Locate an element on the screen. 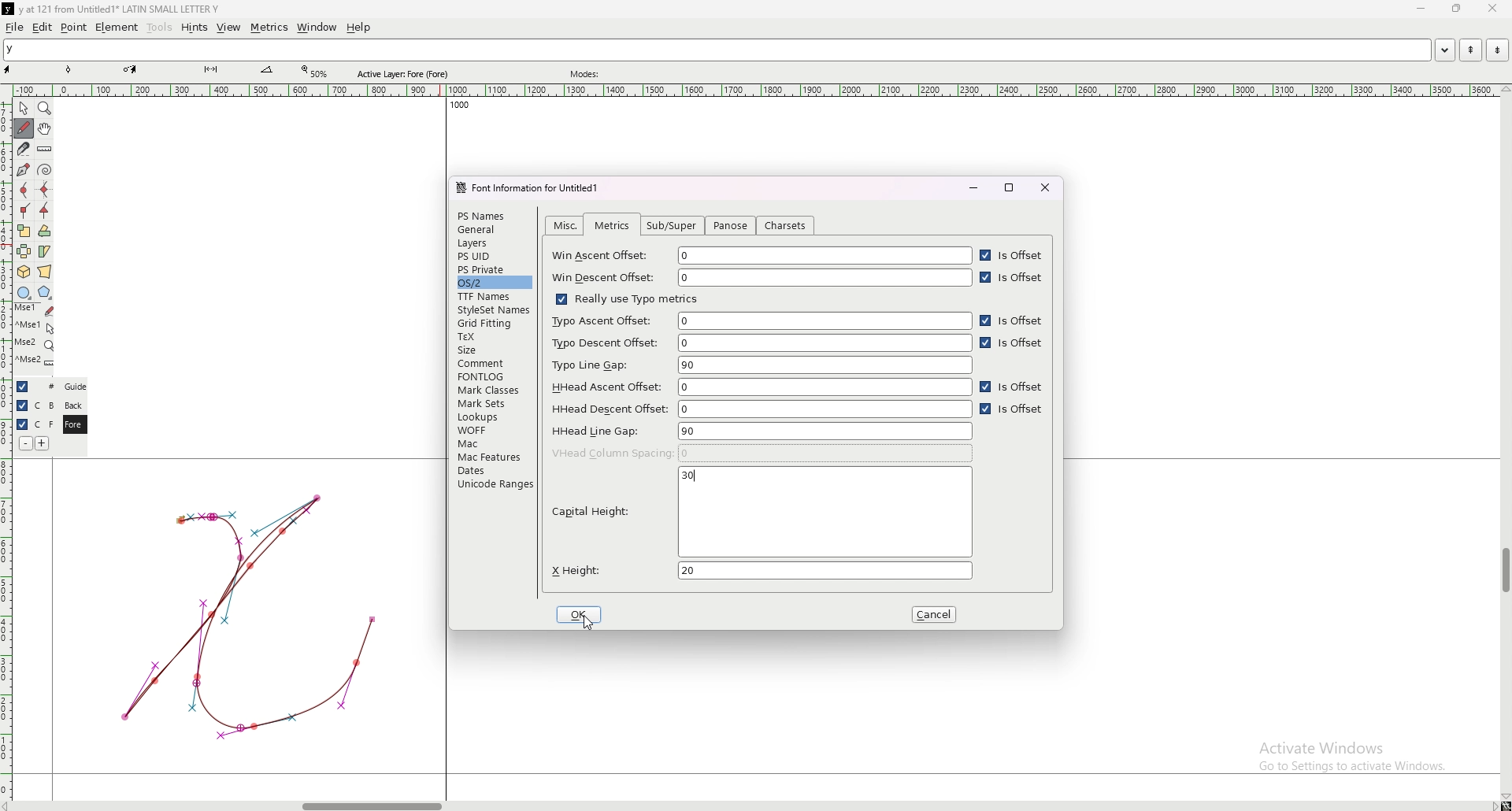  is offset is located at coordinates (1015, 278).